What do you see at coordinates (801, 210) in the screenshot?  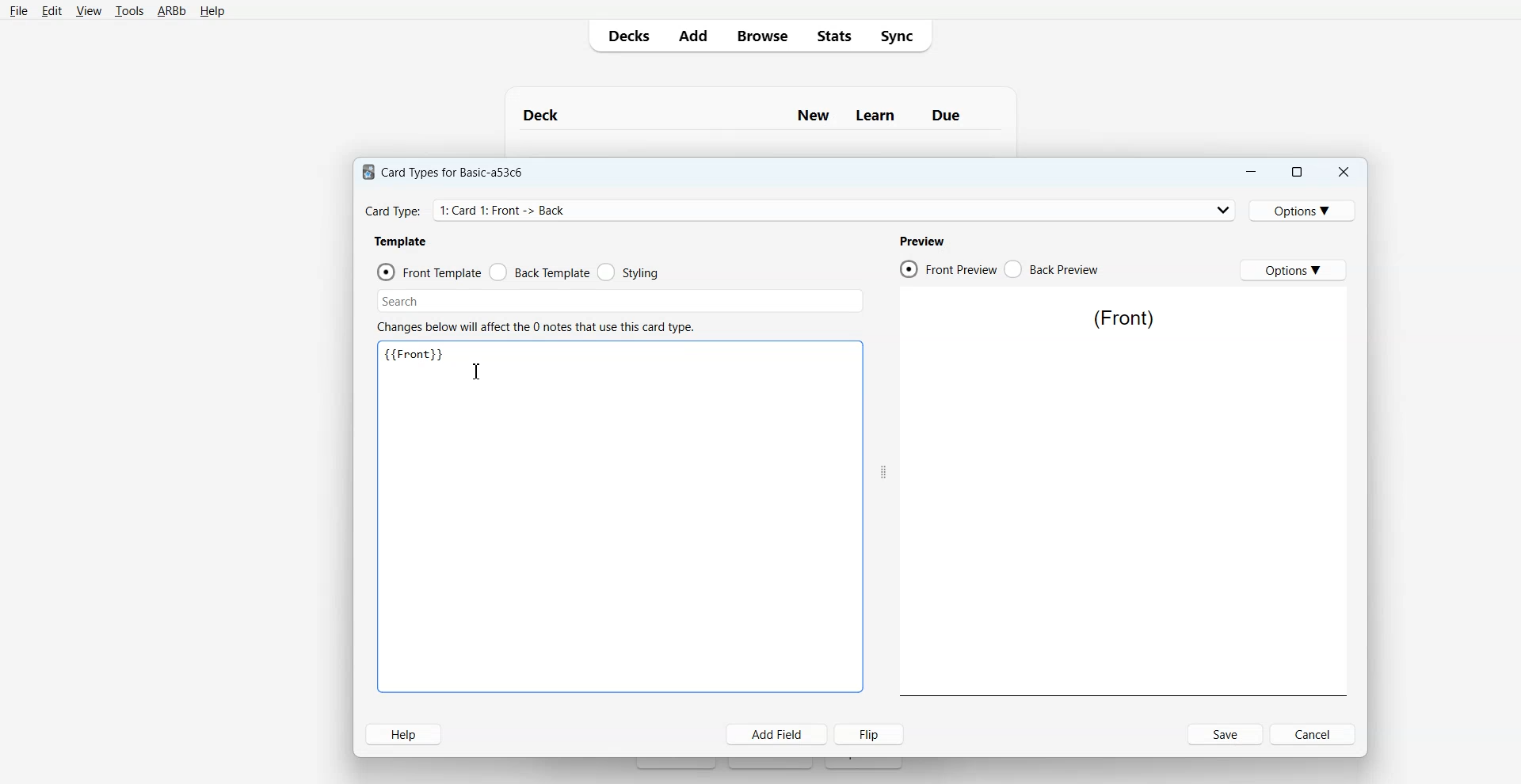 I see `Card Type` at bounding box center [801, 210].